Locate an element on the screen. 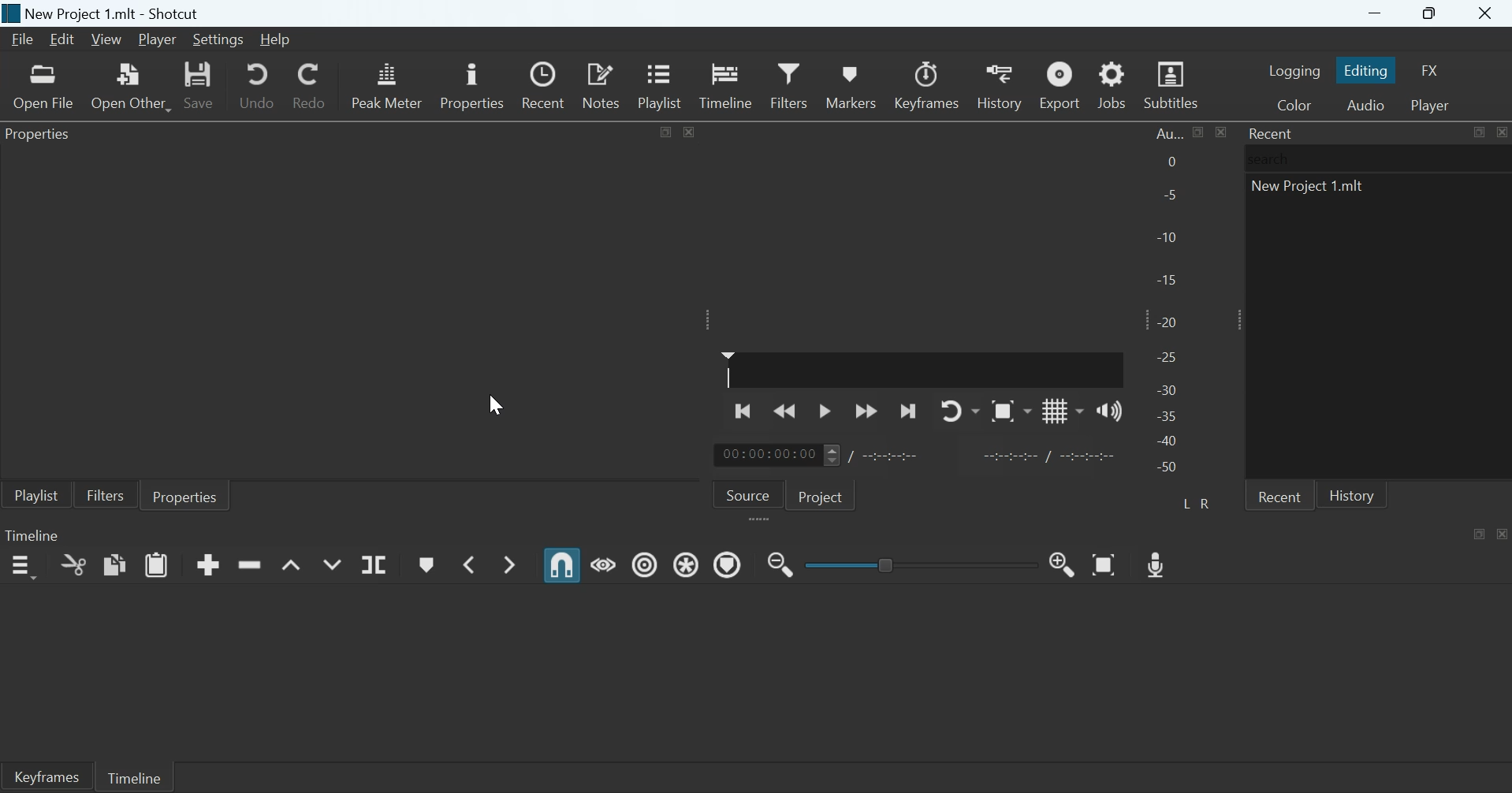 The width and height of the screenshot is (1512, 793). Play quickly backwards is located at coordinates (786, 410).